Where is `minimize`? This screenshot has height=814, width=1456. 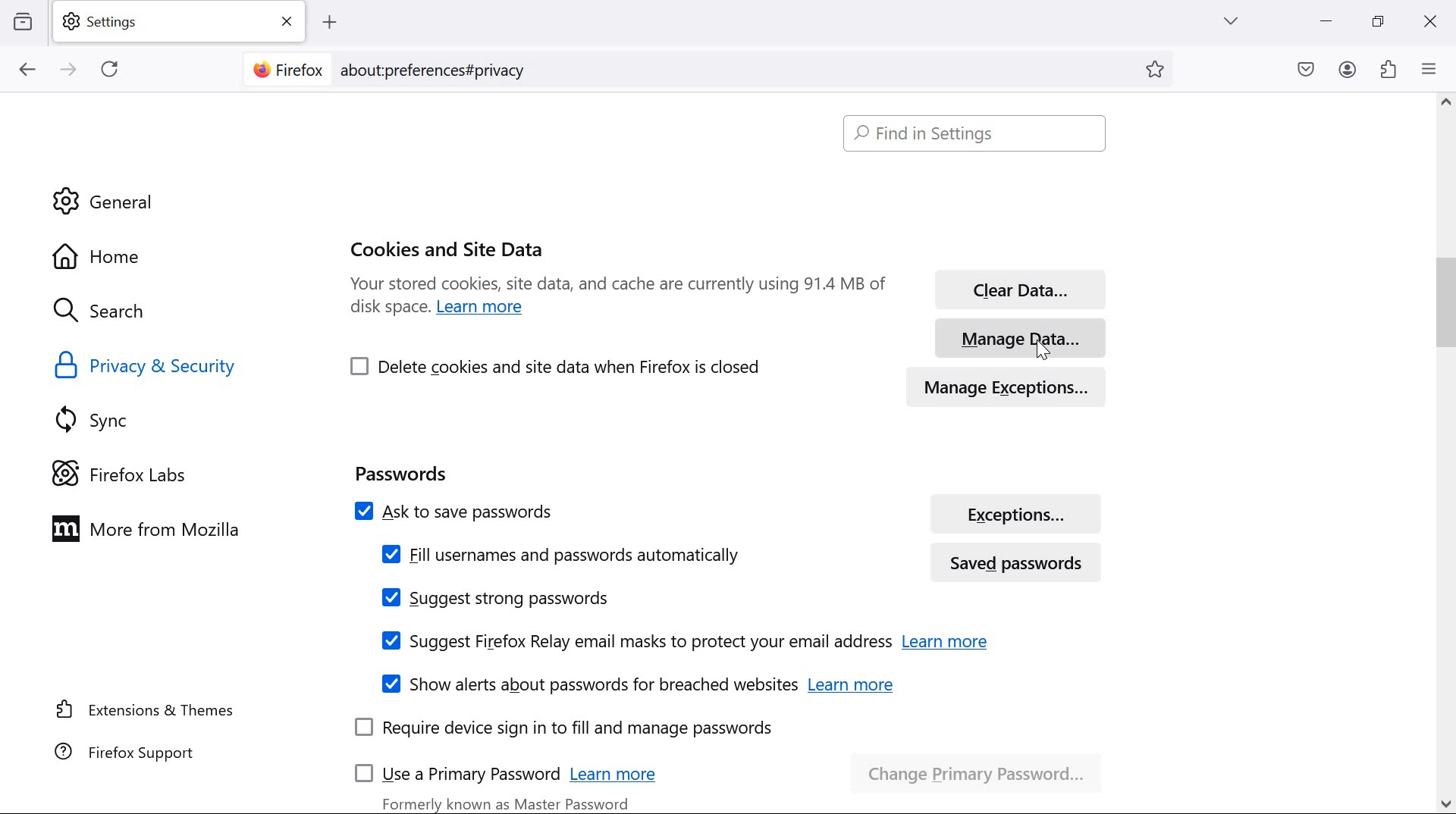 minimize is located at coordinates (1327, 21).